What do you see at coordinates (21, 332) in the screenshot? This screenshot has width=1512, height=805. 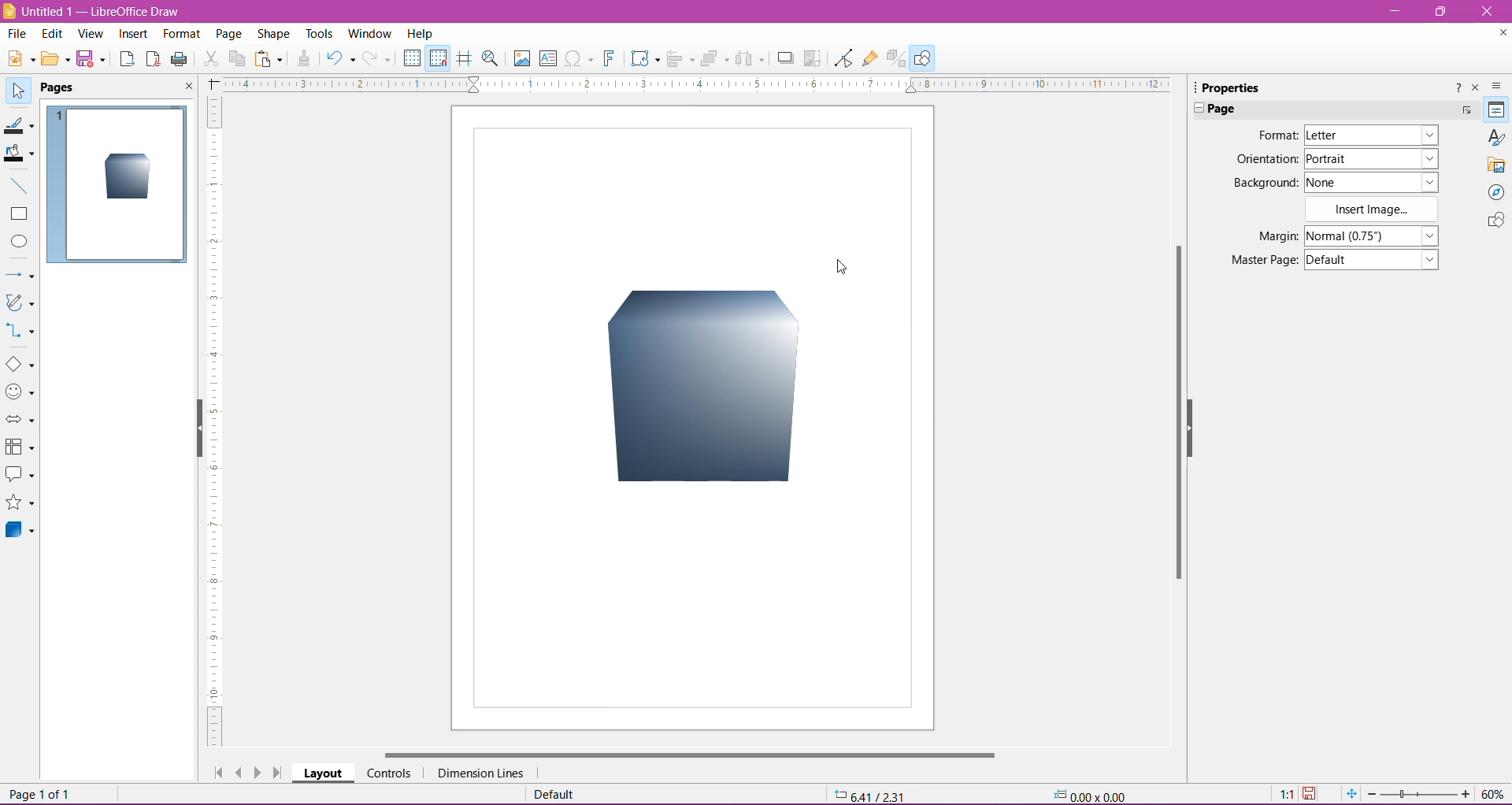 I see `Connectors` at bounding box center [21, 332].